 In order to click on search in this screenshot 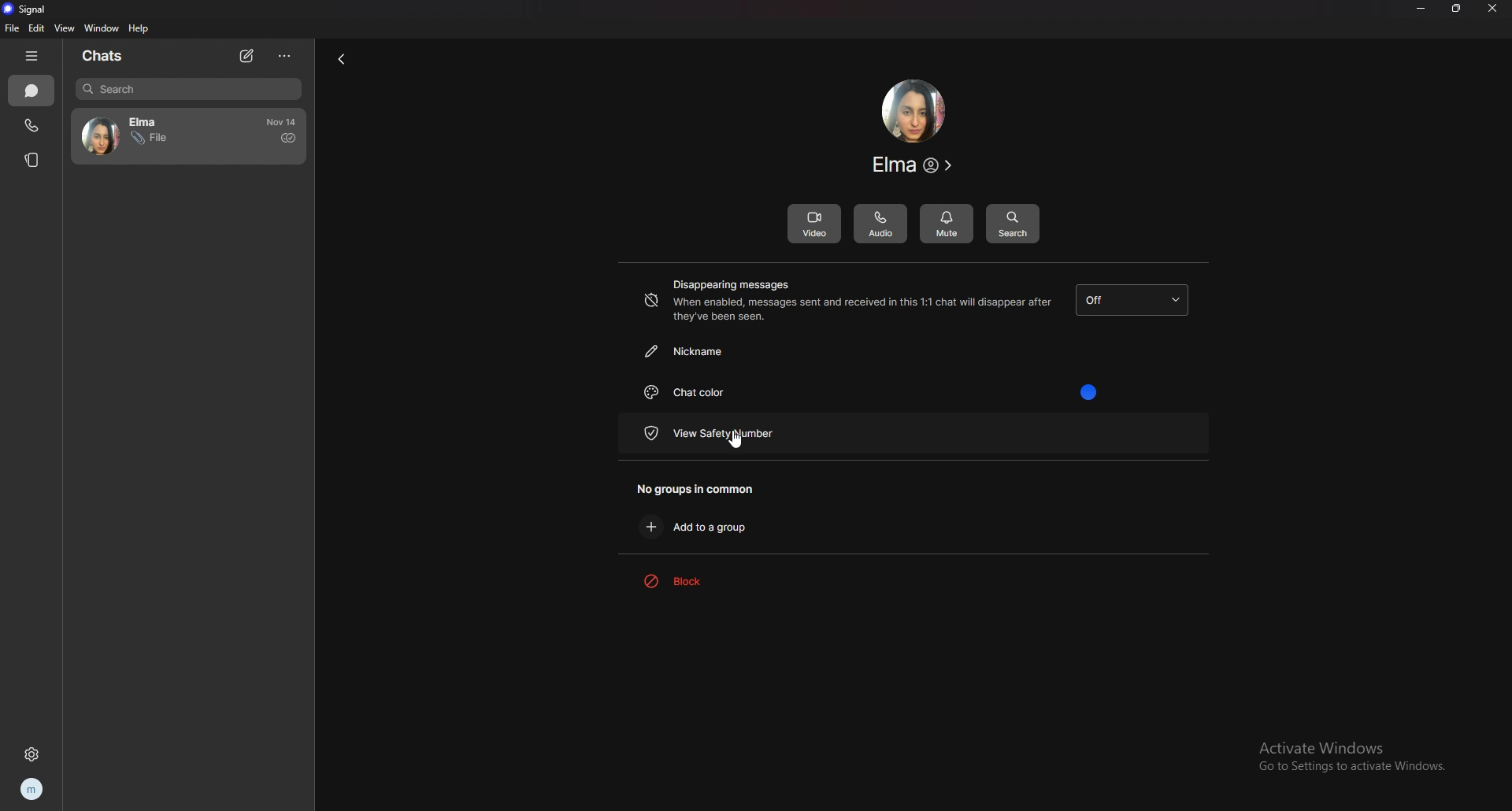, I will do `click(1012, 222)`.